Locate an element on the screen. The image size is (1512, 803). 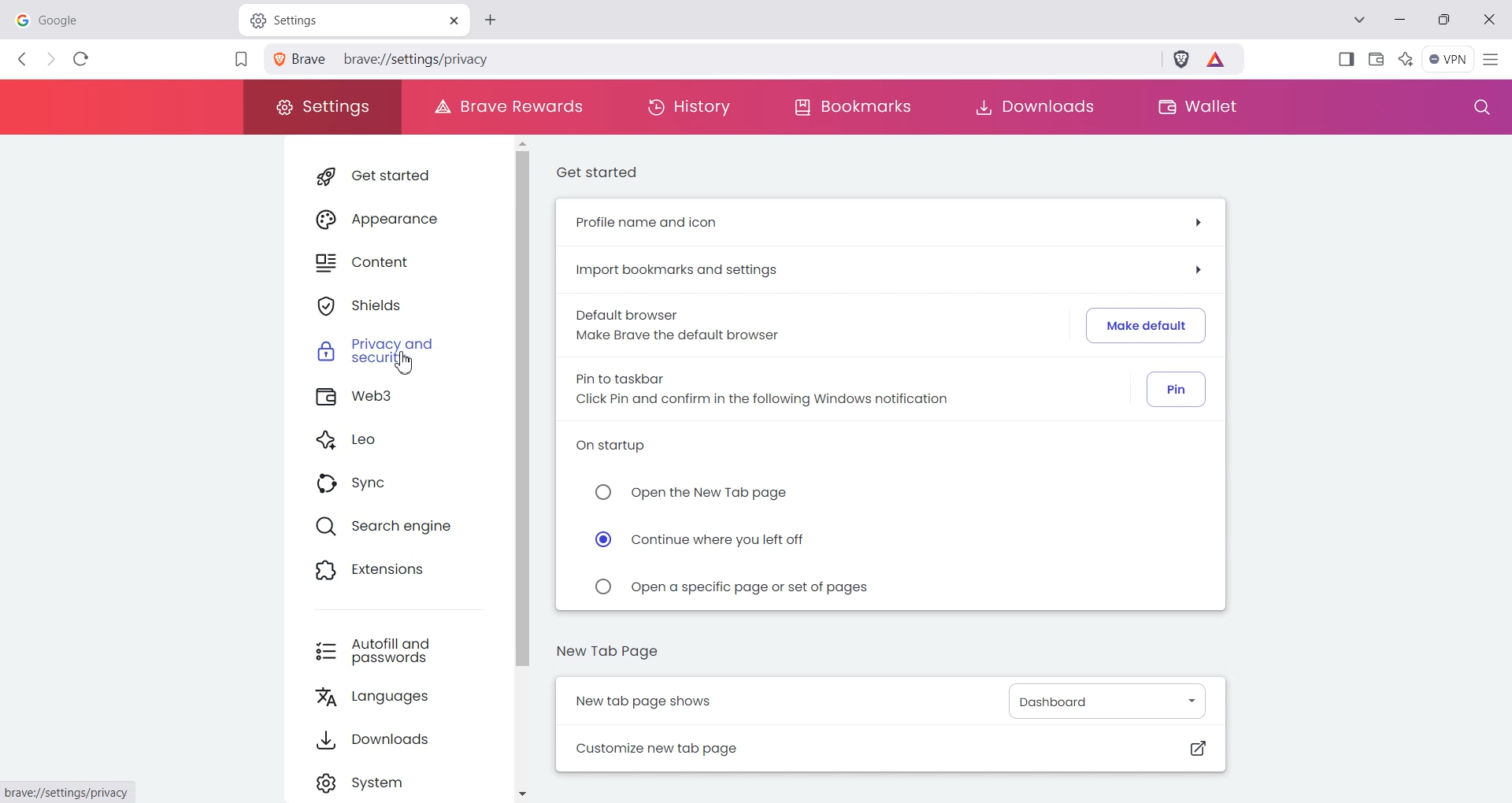
on startup is located at coordinates (616, 447).